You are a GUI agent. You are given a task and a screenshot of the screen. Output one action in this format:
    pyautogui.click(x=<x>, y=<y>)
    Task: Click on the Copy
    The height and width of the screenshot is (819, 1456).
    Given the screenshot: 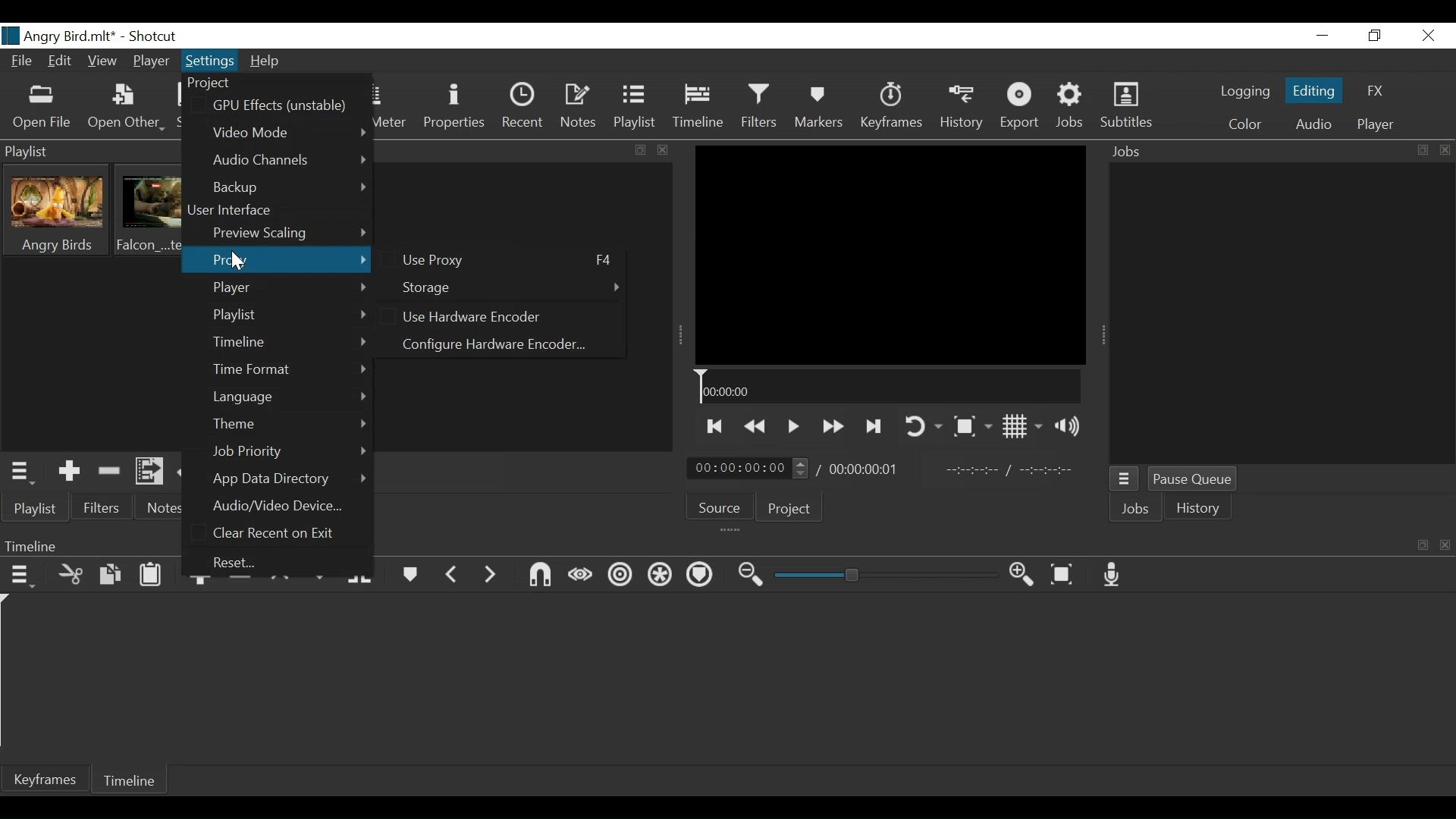 What is the action you would take?
    pyautogui.click(x=108, y=574)
    